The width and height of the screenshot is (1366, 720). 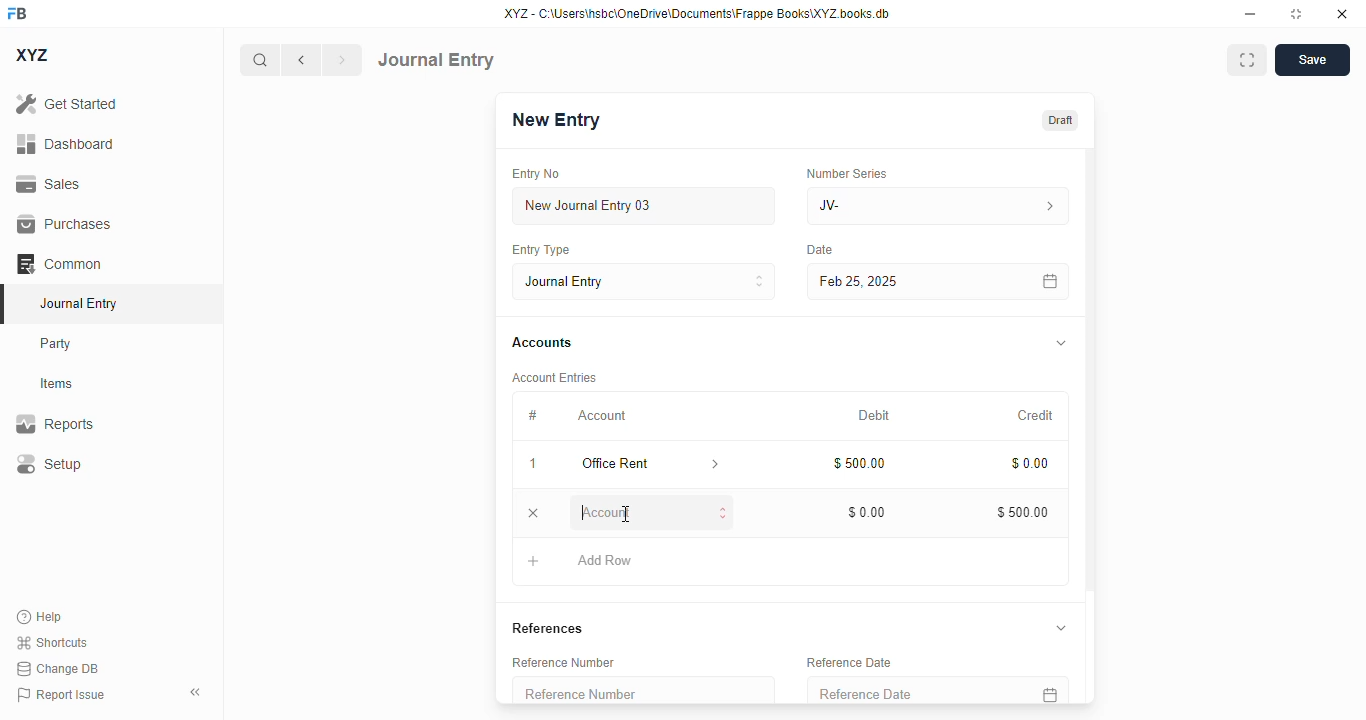 I want to click on next, so click(x=343, y=60).